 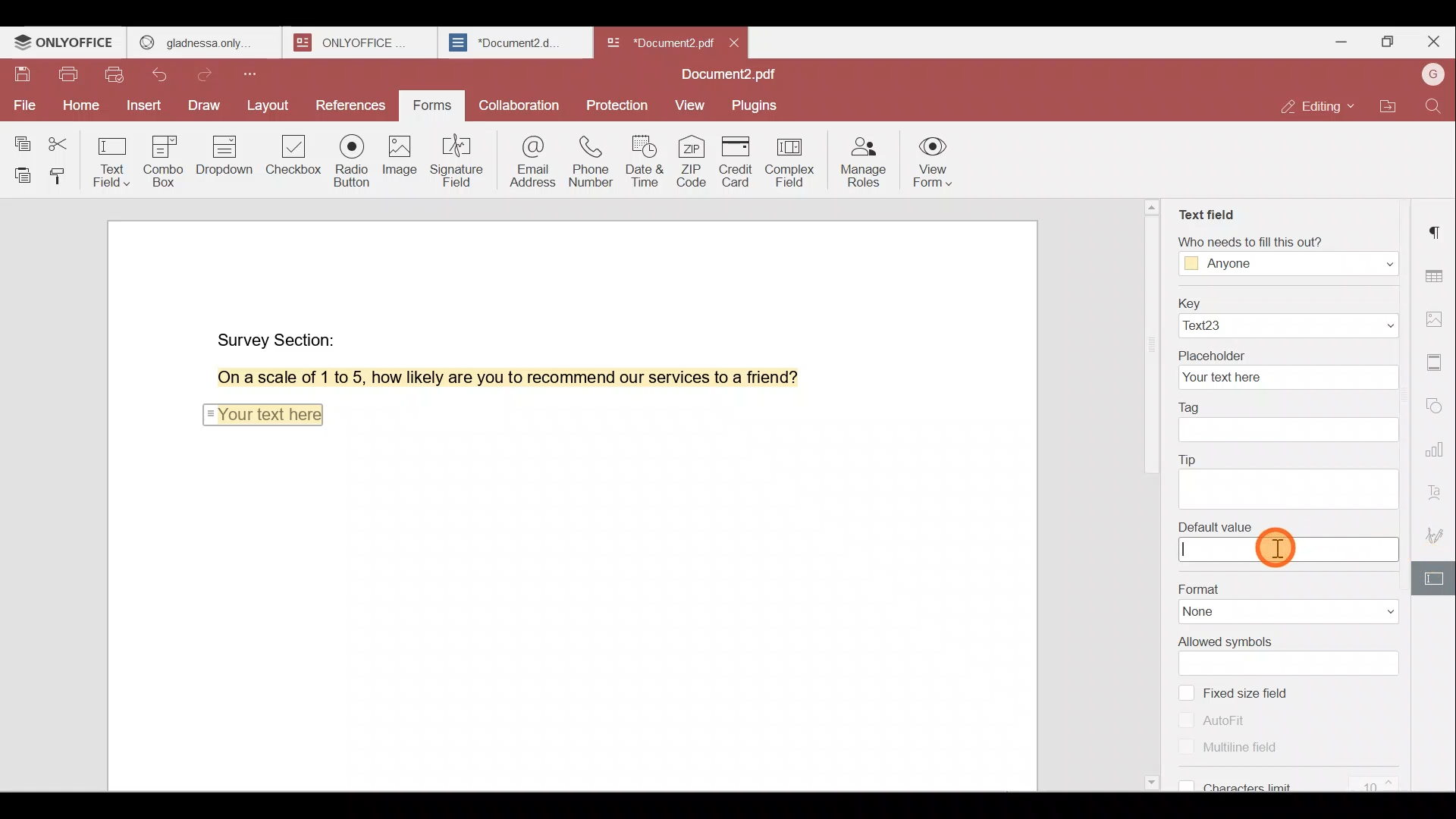 I want to click on Text field, so click(x=1210, y=215).